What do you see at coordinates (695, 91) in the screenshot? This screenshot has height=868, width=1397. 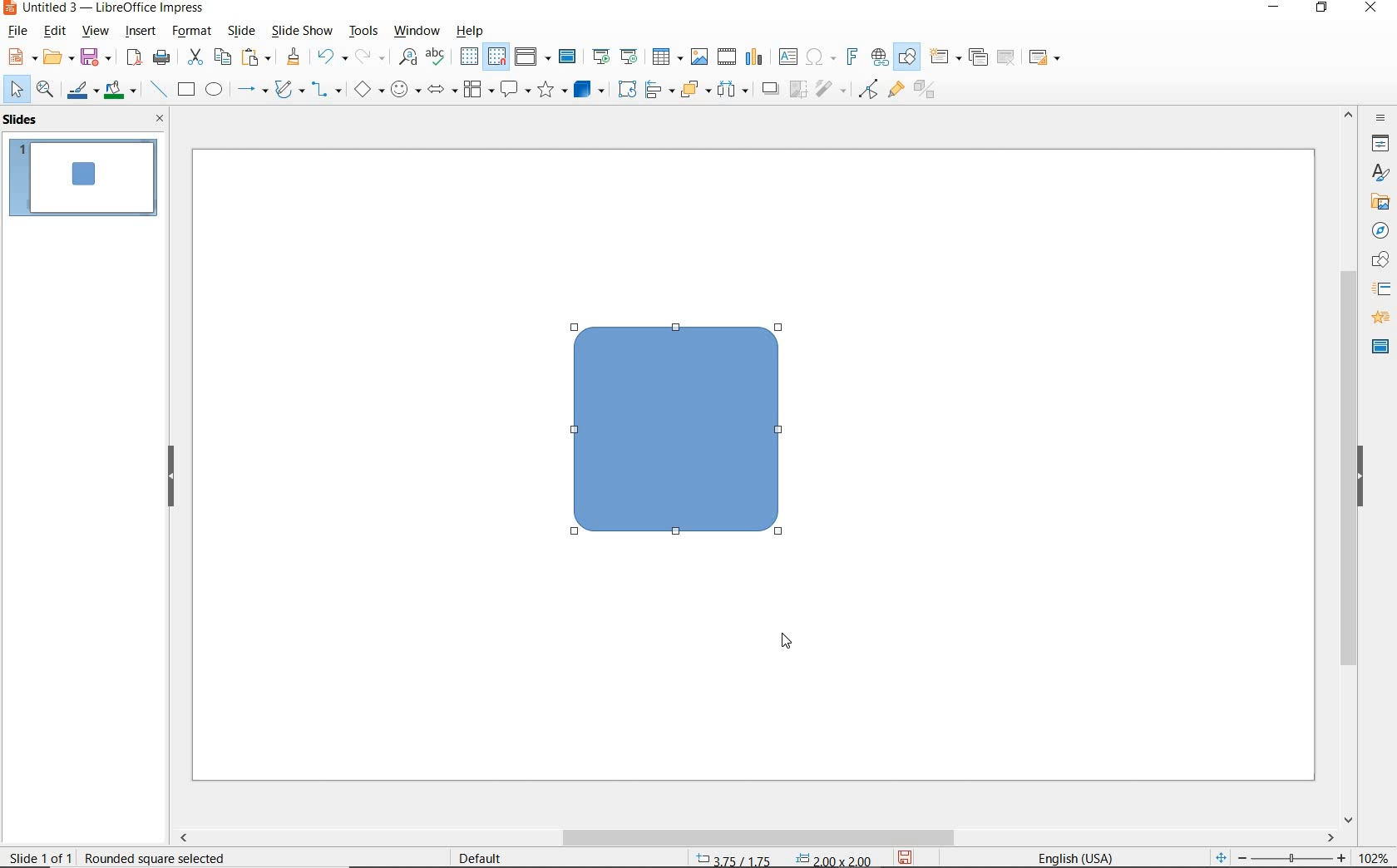 I see `arrange` at bounding box center [695, 91].